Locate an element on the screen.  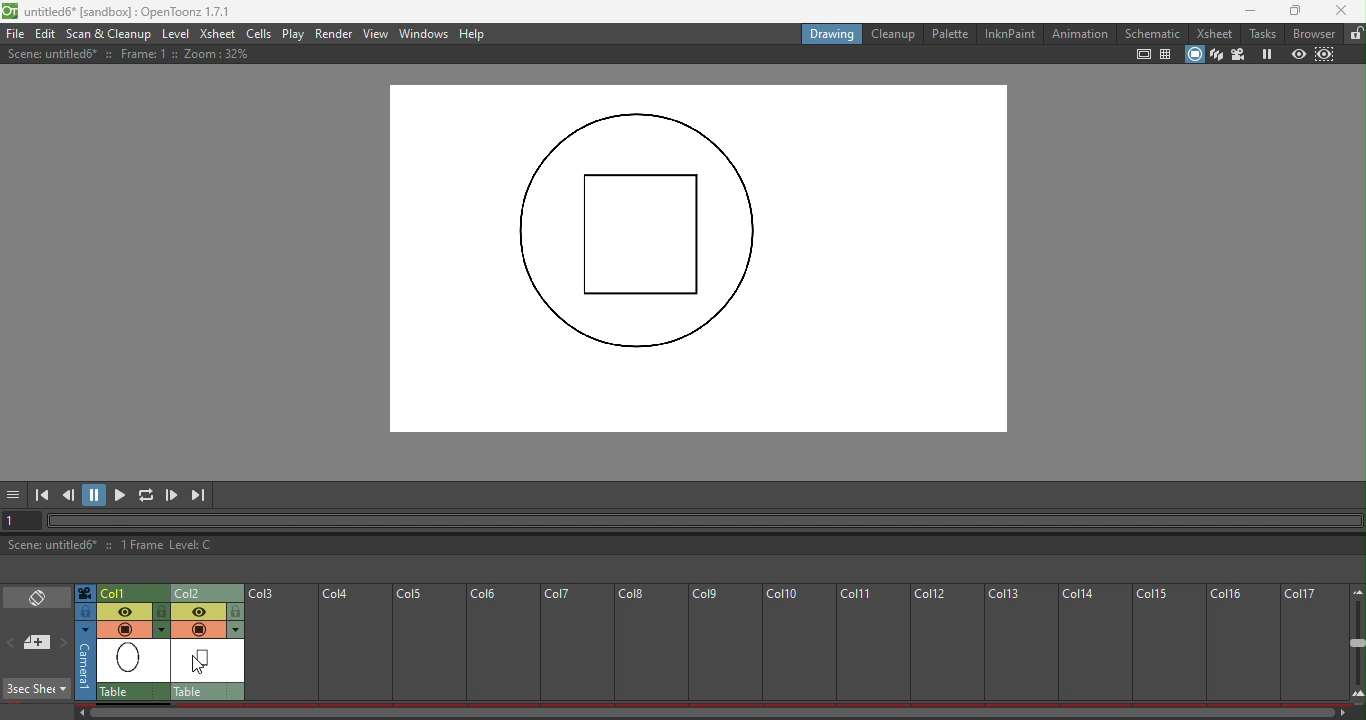
Schematic is located at coordinates (1152, 32).